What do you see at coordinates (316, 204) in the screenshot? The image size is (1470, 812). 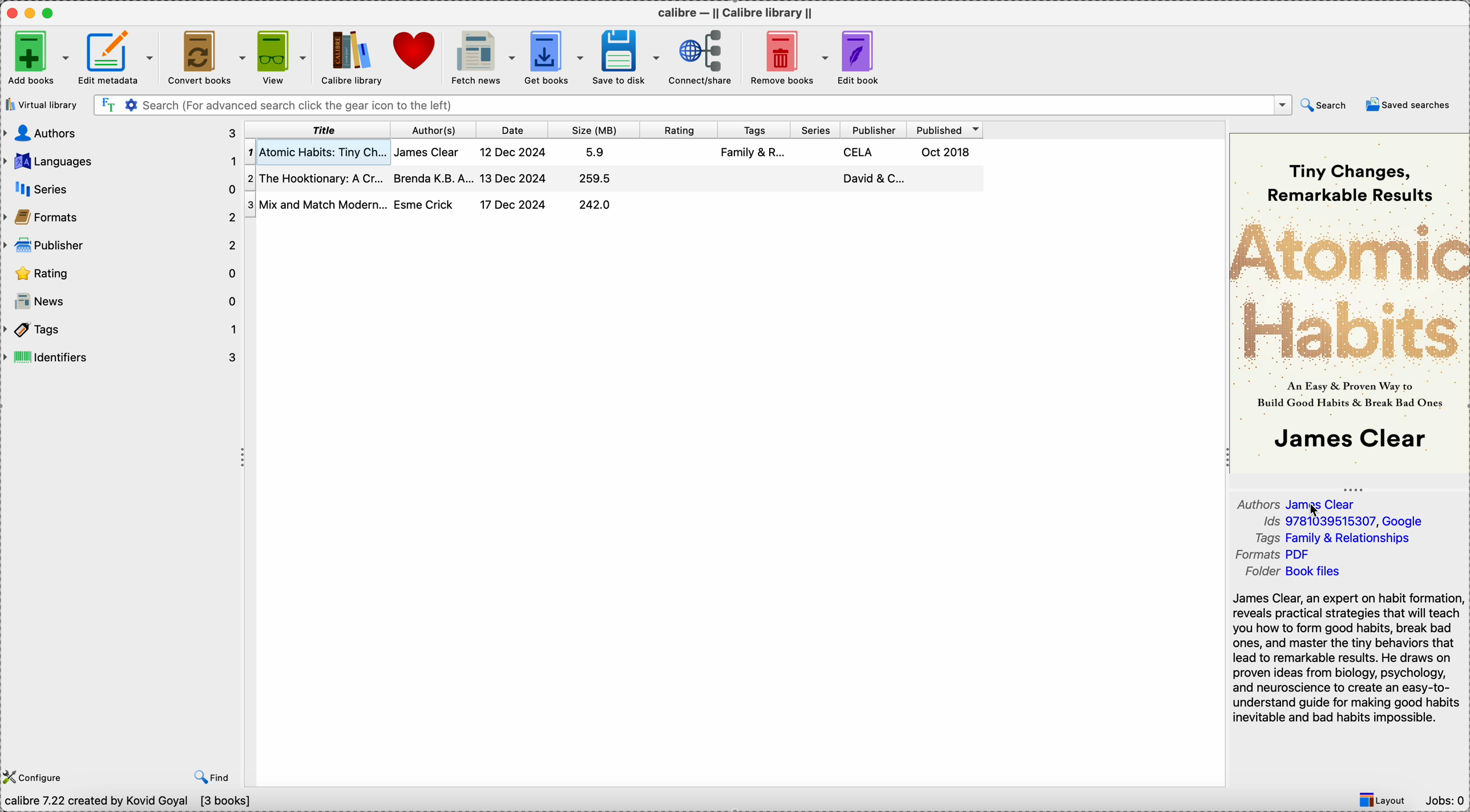 I see `Mix and Match Modern..` at bounding box center [316, 204].